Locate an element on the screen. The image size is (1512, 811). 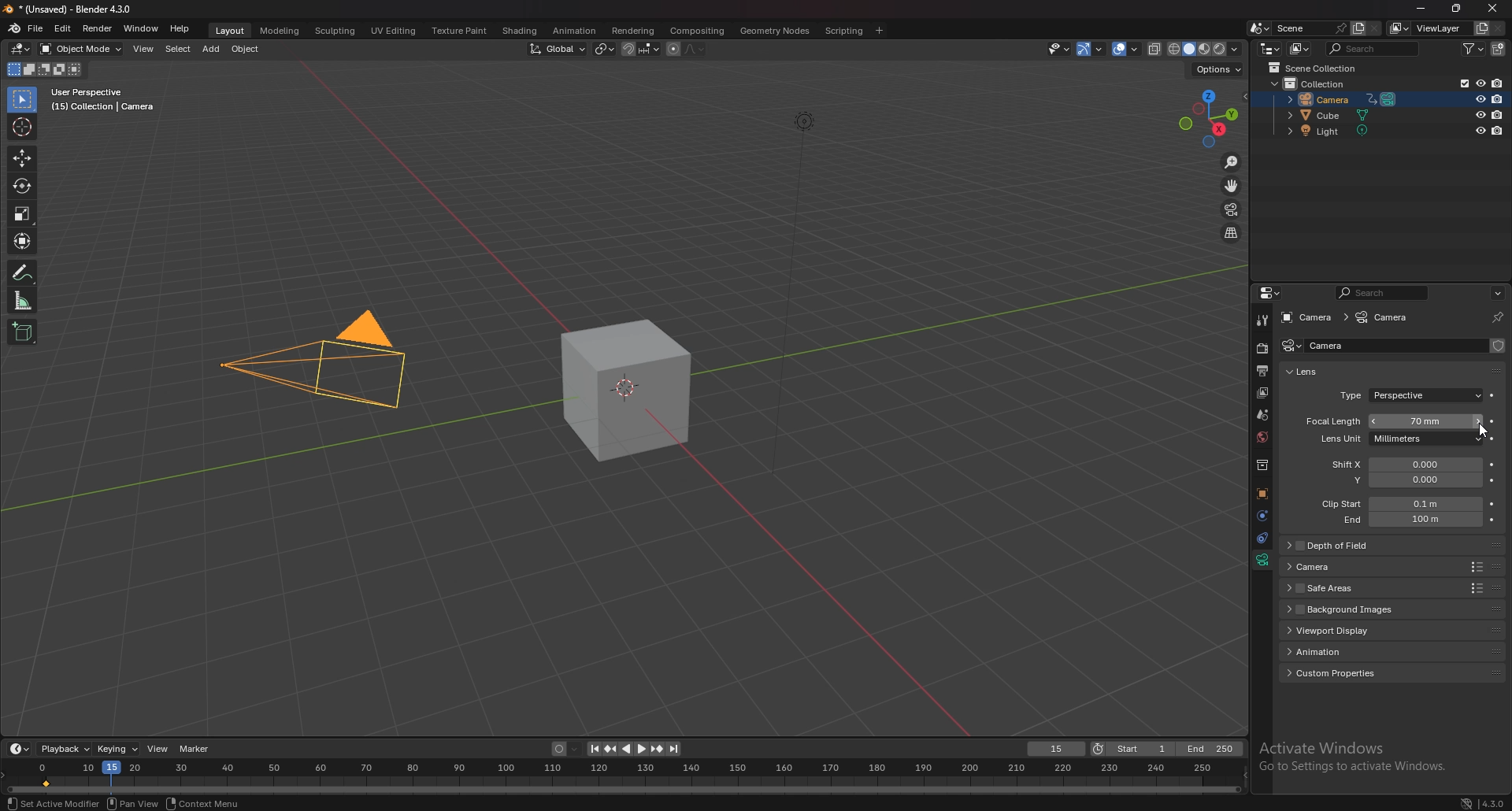
move is located at coordinates (1231, 185).